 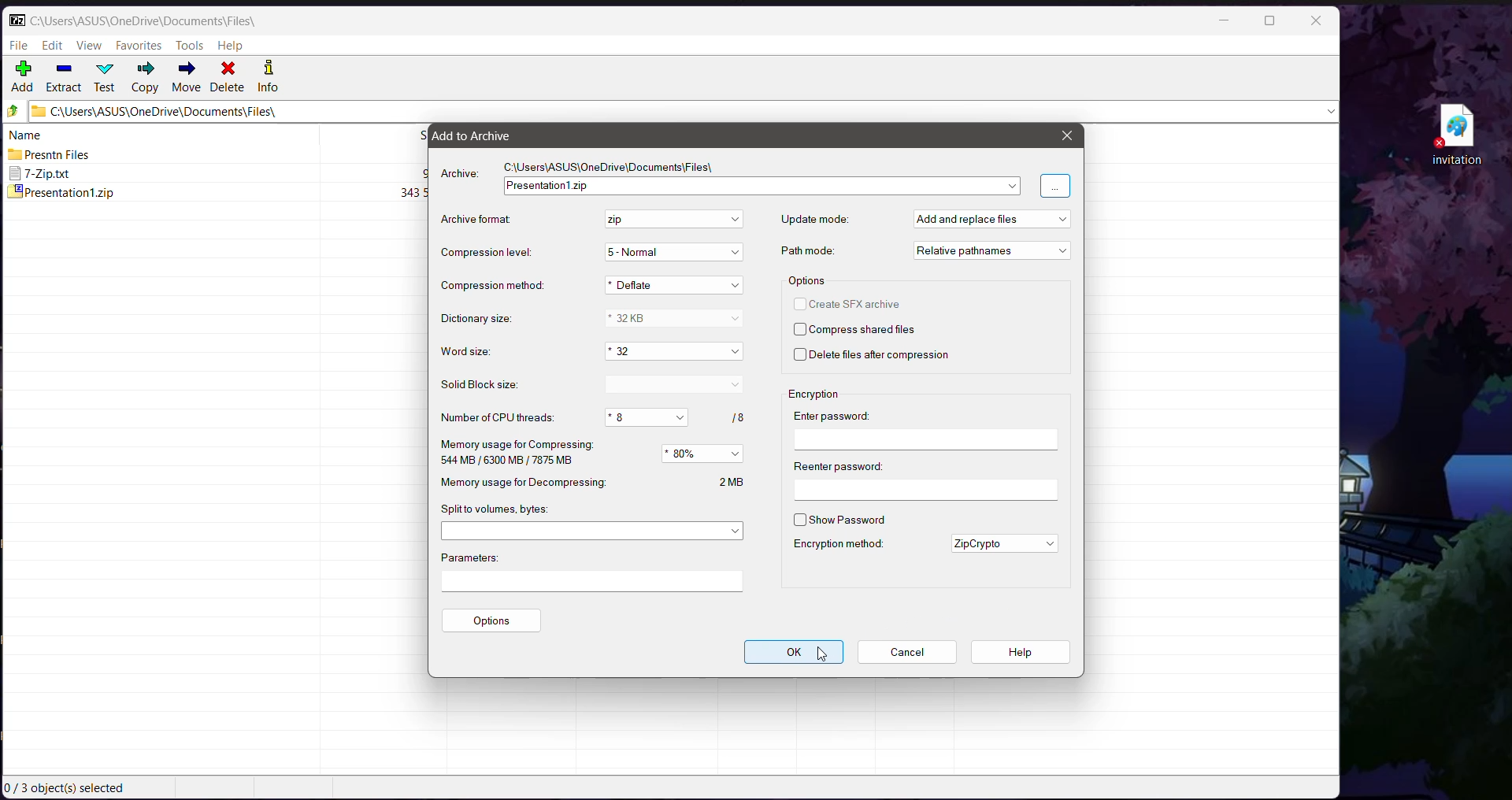 What do you see at coordinates (673, 385) in the screenshot?
I see `Set the Solid Block size` at bounding box center [673, 385].